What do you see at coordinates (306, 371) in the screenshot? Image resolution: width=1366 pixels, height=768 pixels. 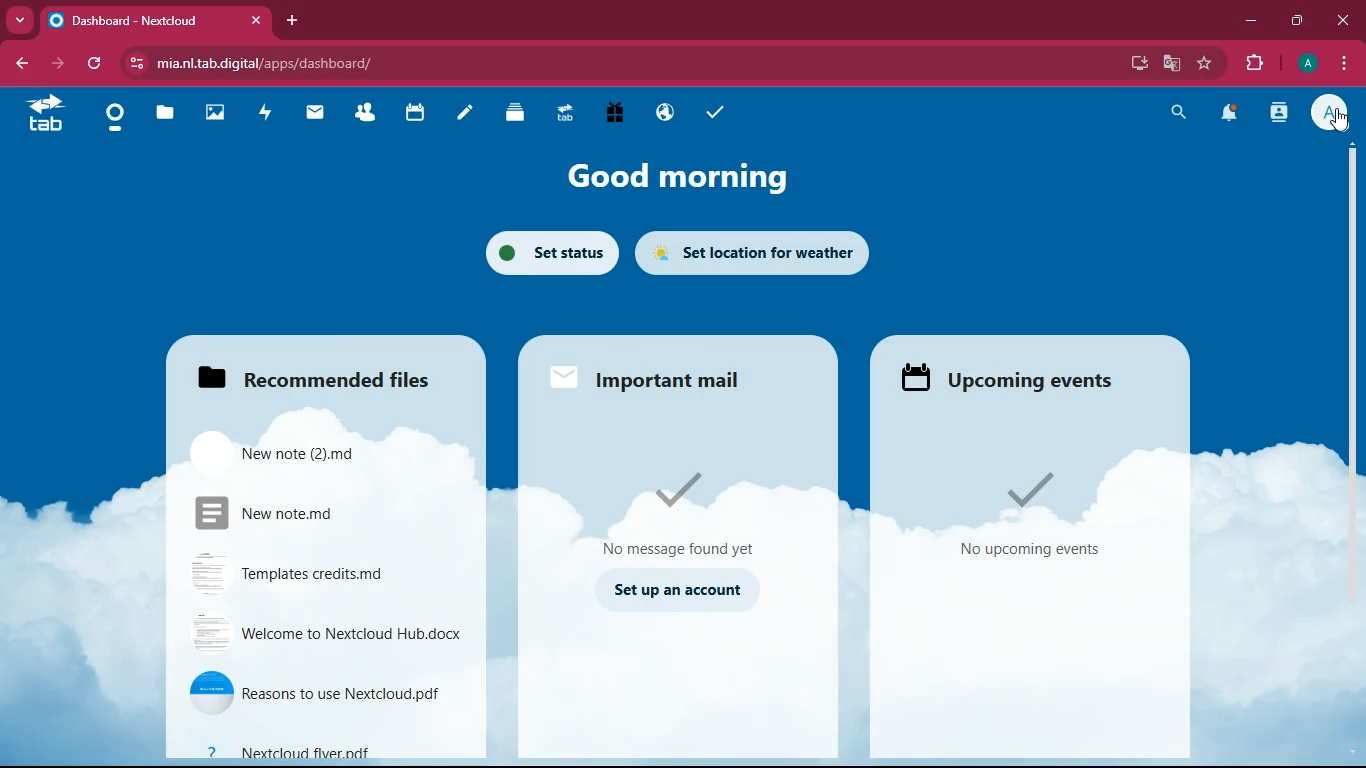 I see `files` at bounding box center [306, 371].